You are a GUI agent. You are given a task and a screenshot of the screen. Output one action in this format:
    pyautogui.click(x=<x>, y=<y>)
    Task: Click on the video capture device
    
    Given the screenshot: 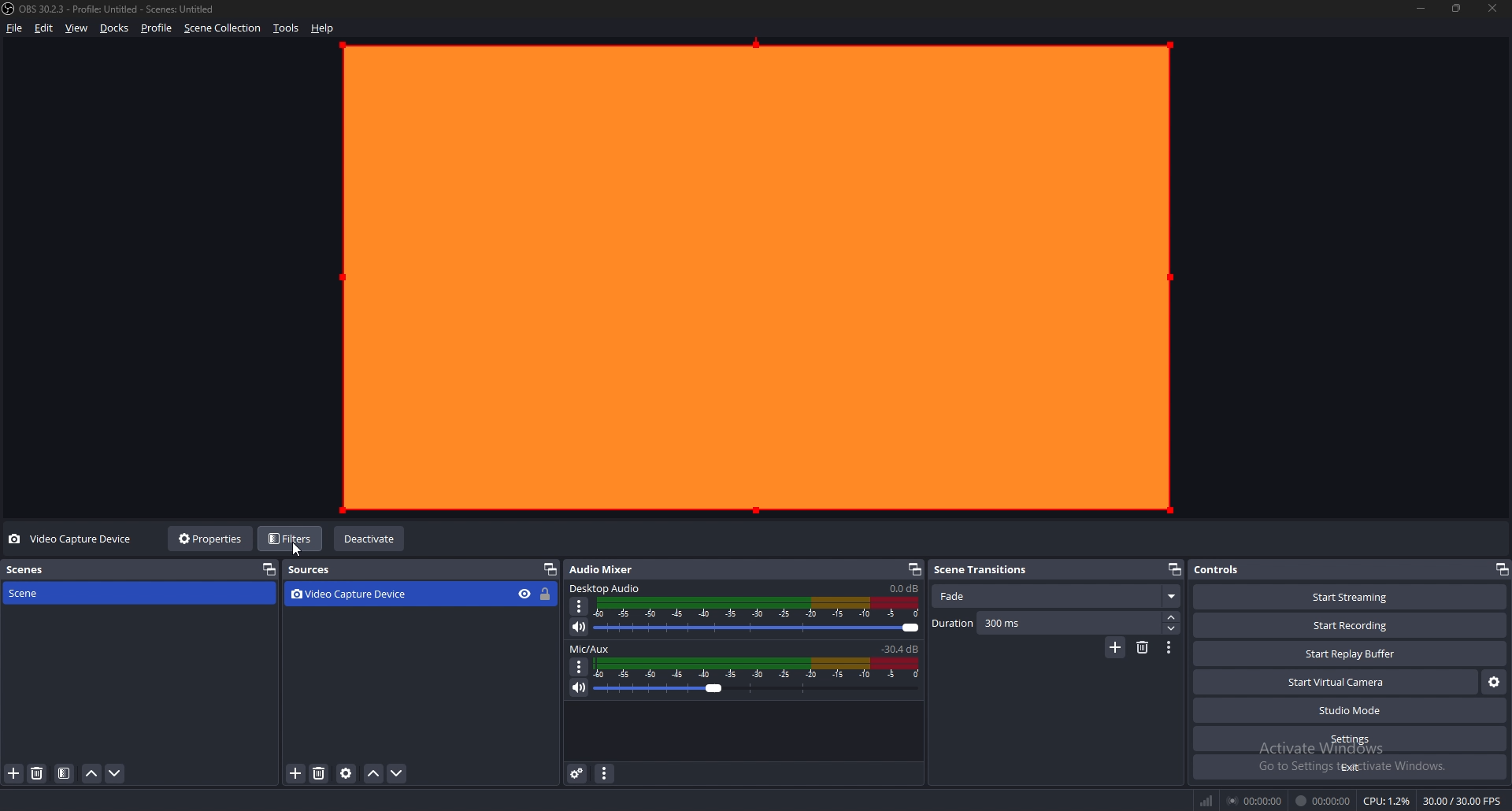 What is the action you would take?
    pyautogui.click(x=72, y=539)
    